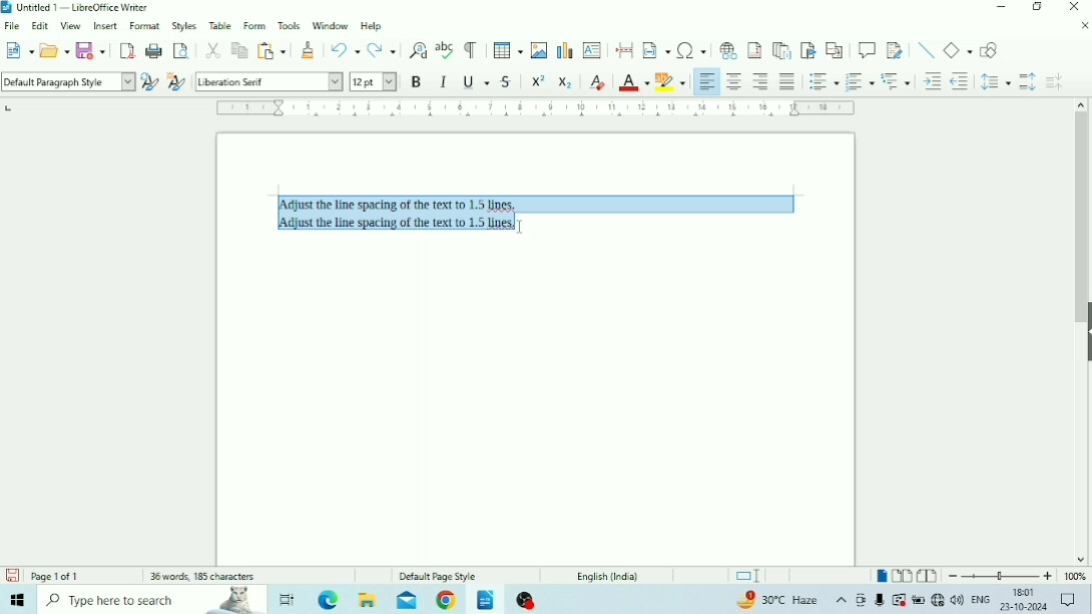  Describe the element at coordinates (989, 48) in the screenshot. I see `Show Draw Functions` at that location.